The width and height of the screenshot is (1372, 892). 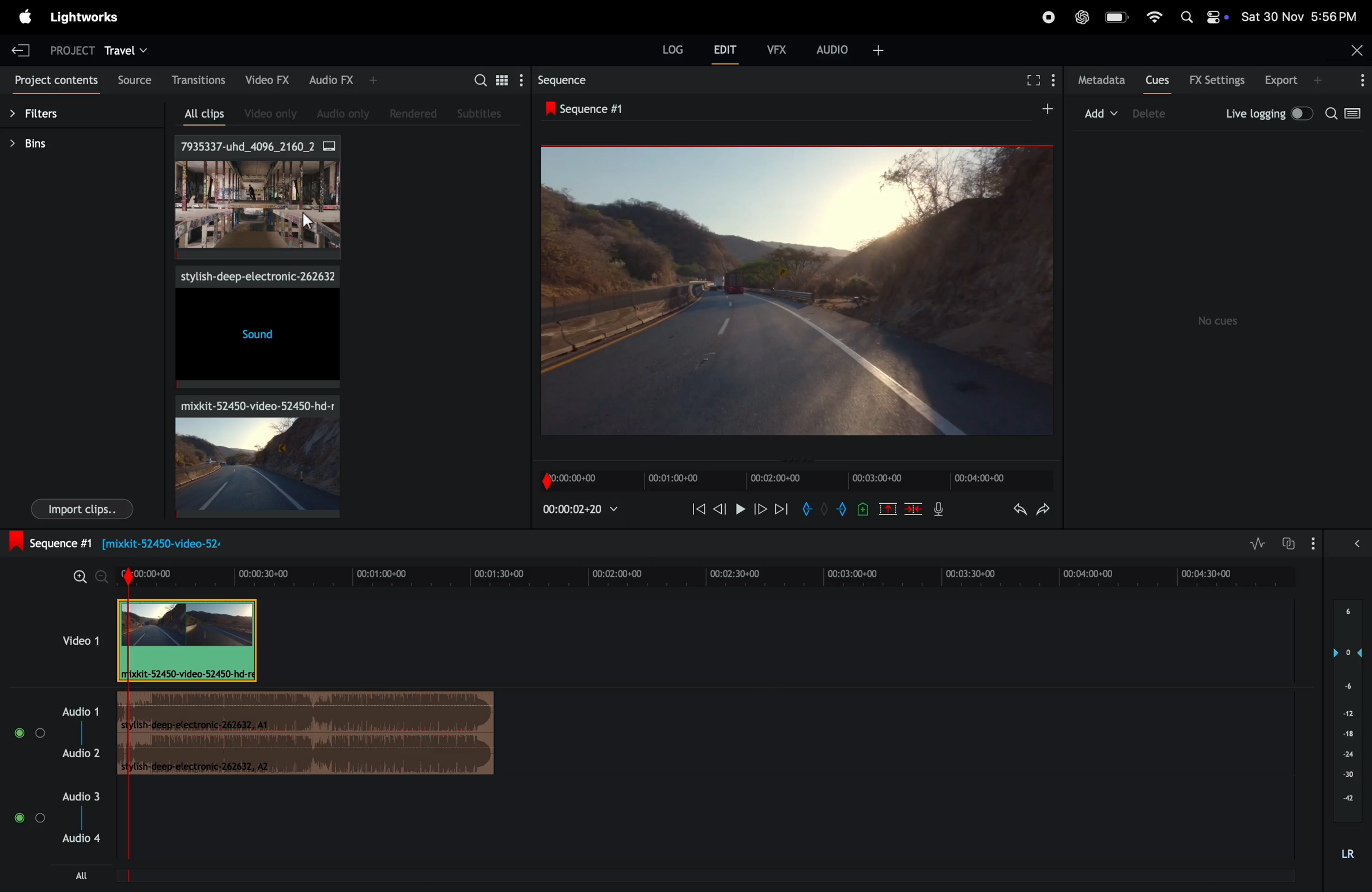 What do you see at coordinates (1036, 80) in the screenshot?
I see `fullscreen` at bounding box center [1036, 80].